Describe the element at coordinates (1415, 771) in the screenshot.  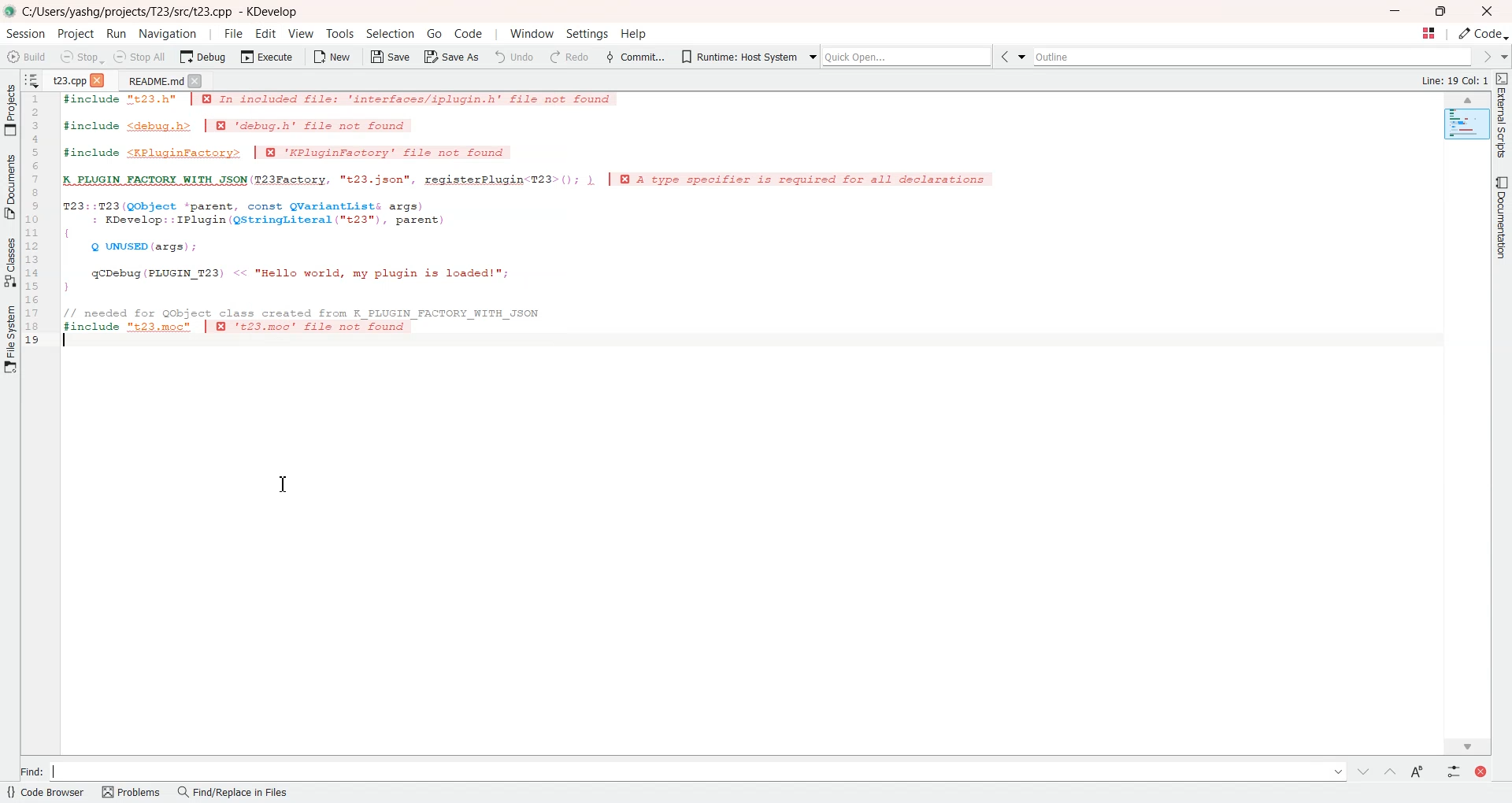
I see `Match case Sensitive` at that location.